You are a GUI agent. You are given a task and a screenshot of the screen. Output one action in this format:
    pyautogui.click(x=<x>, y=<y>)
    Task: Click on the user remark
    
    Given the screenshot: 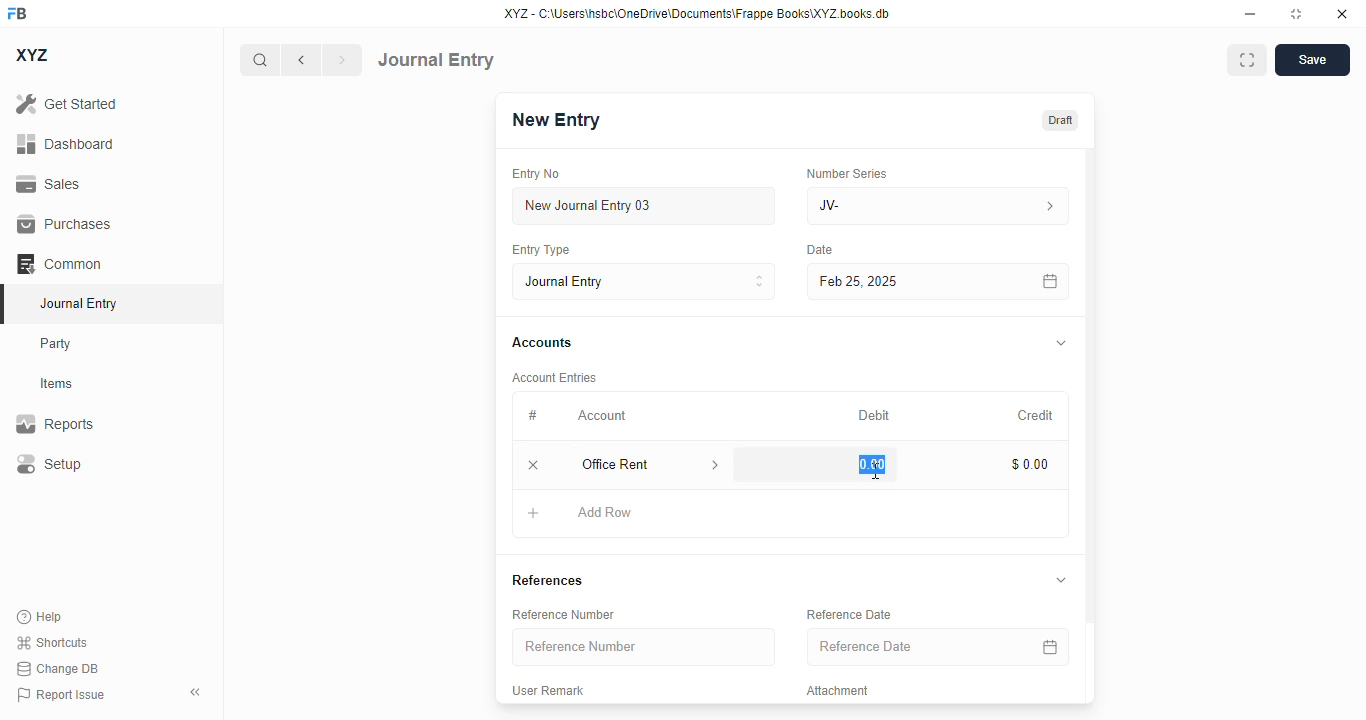 What is the action you would take?
    pyautogui.click(x=547, y=690)
    